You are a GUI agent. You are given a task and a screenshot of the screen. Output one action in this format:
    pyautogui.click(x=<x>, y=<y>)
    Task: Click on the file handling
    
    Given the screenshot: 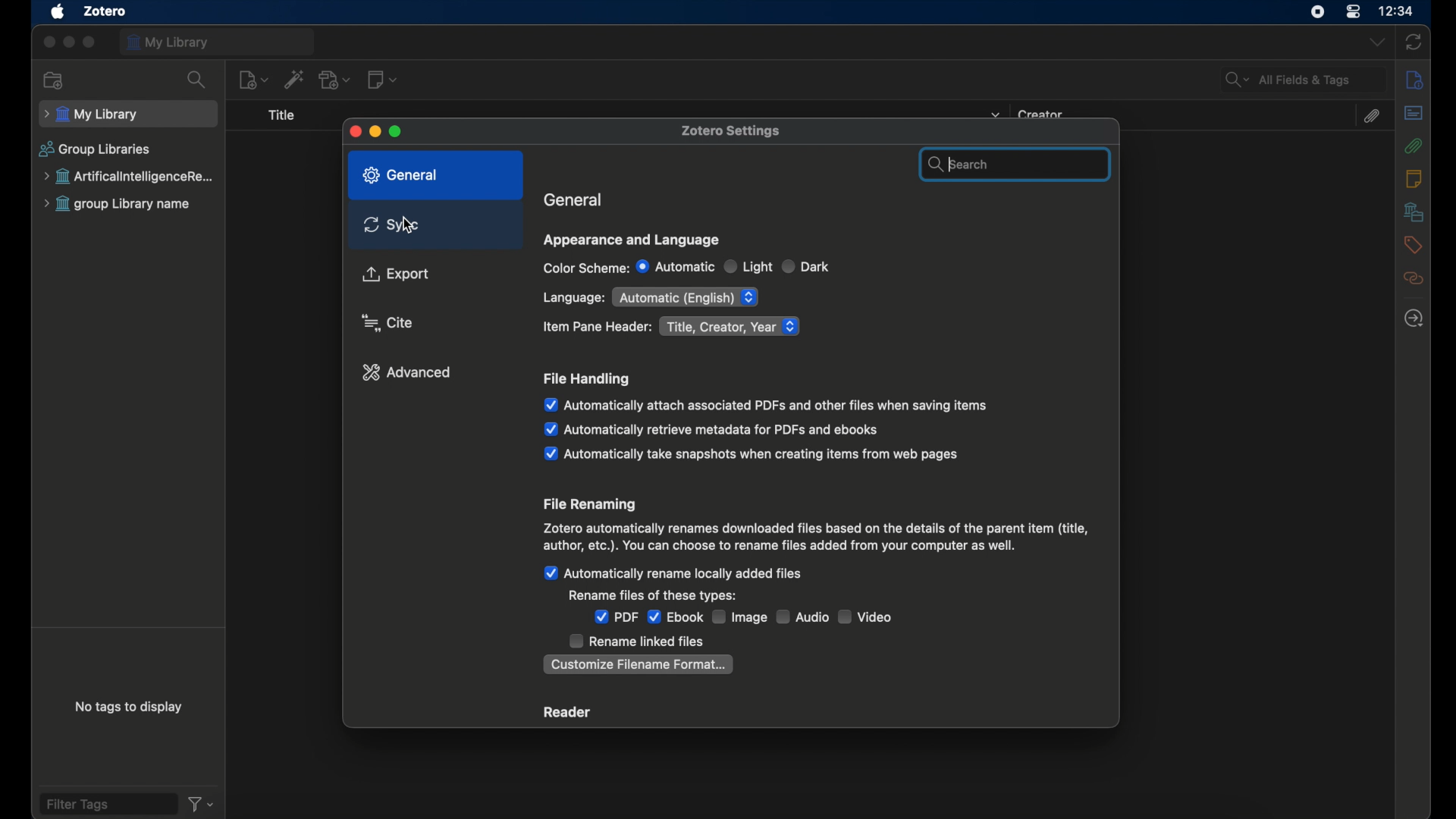 What is the action you would take?
    pyautogui.click(x=591, y=378)
    